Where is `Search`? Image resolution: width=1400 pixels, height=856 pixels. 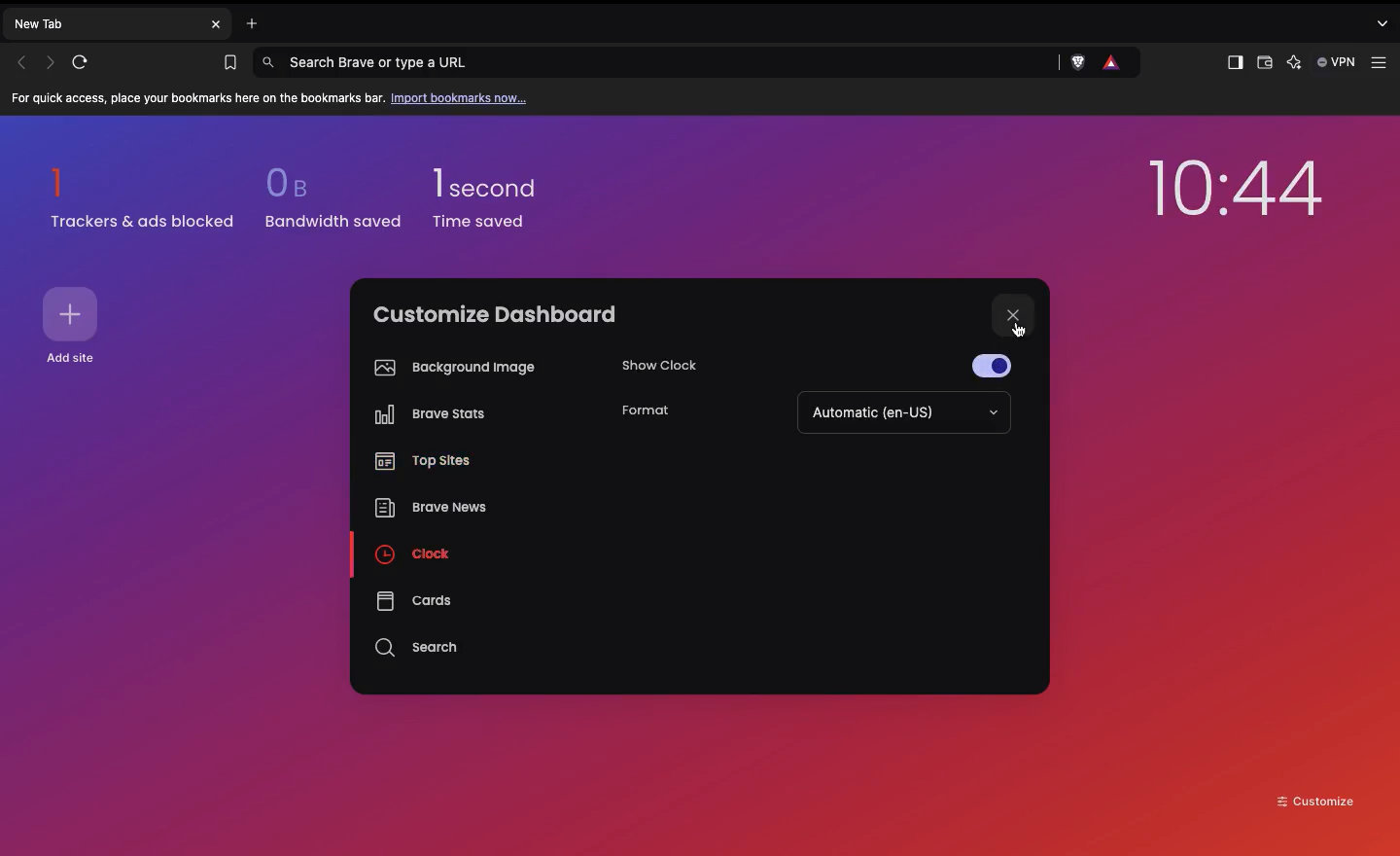
Search is located at coordinates (419, 648).